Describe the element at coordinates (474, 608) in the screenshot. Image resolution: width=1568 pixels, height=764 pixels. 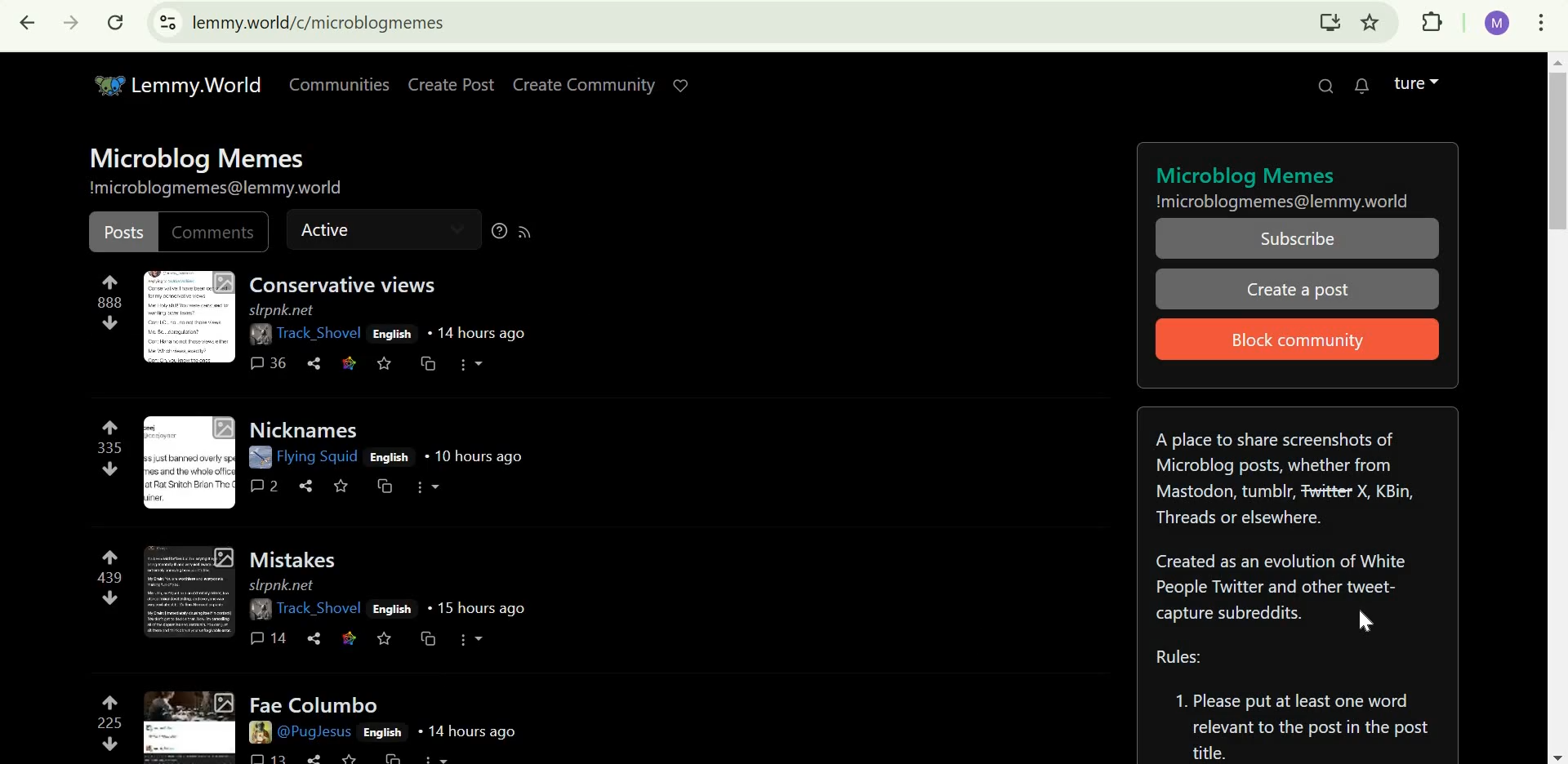
I see `15 hours ago` at that location.